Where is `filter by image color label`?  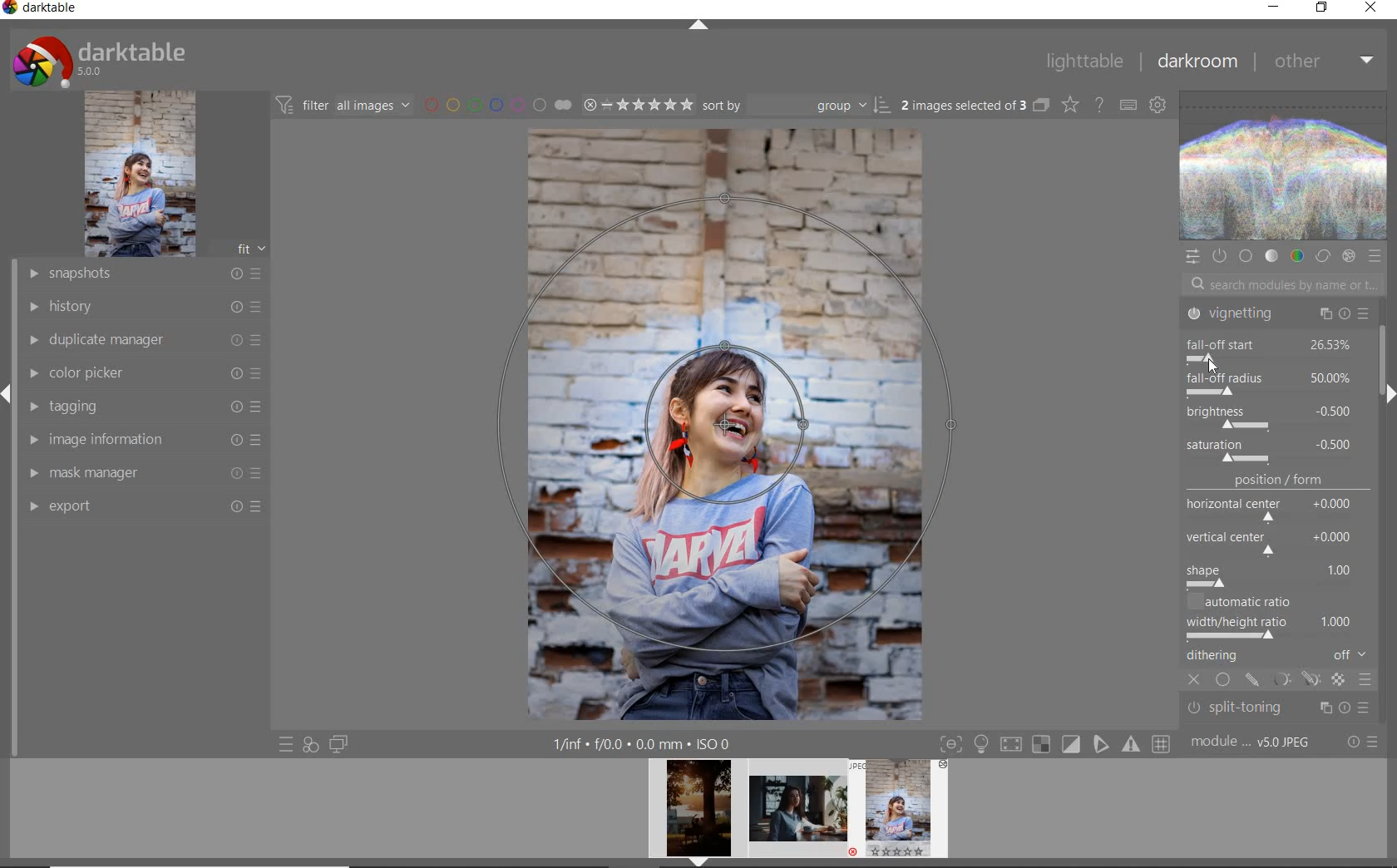 filter by image color label is located at coordinates (496, 104).